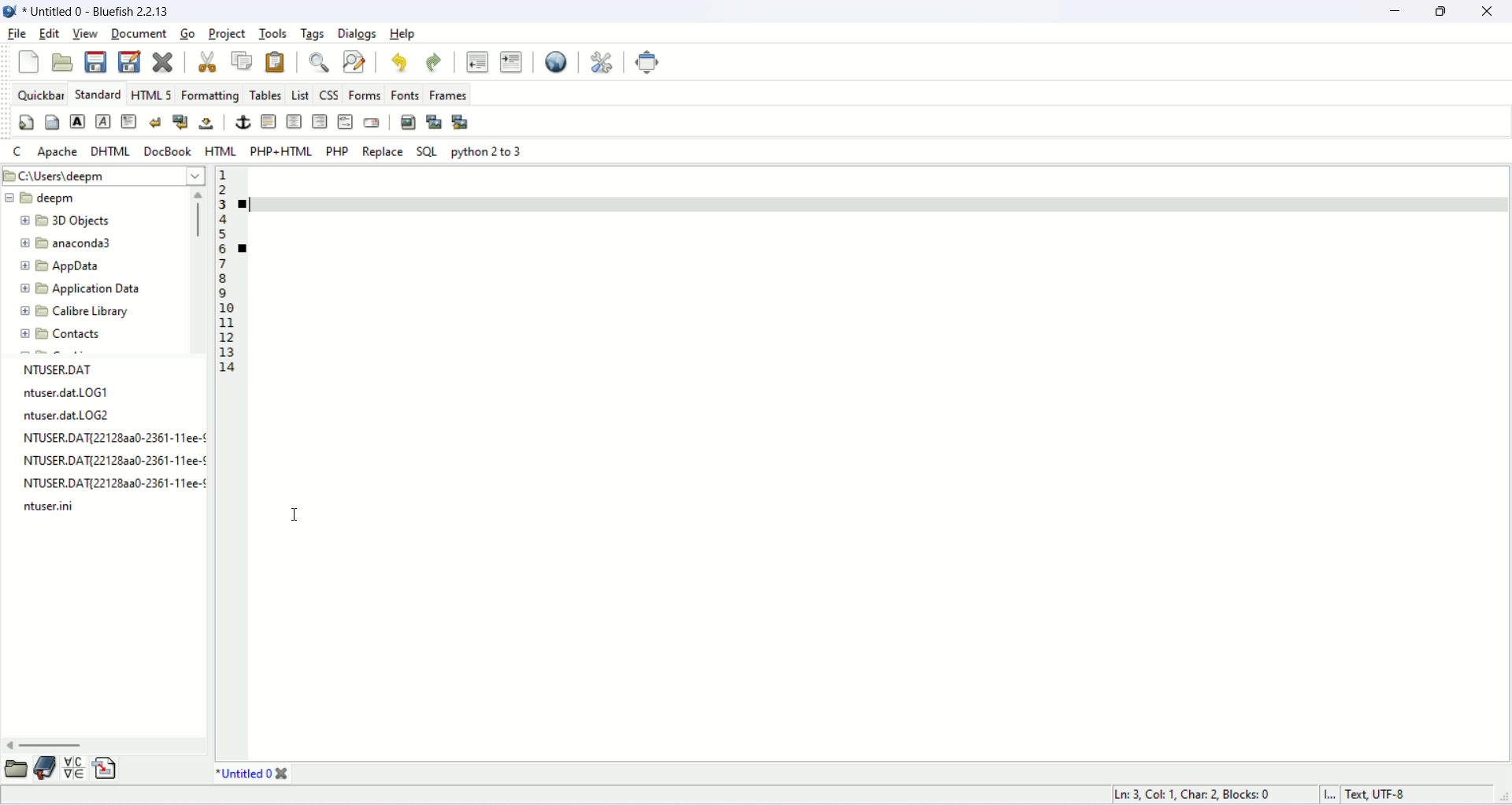 The image size is (1512, 805). I want to click on Path, so click(105, 175).